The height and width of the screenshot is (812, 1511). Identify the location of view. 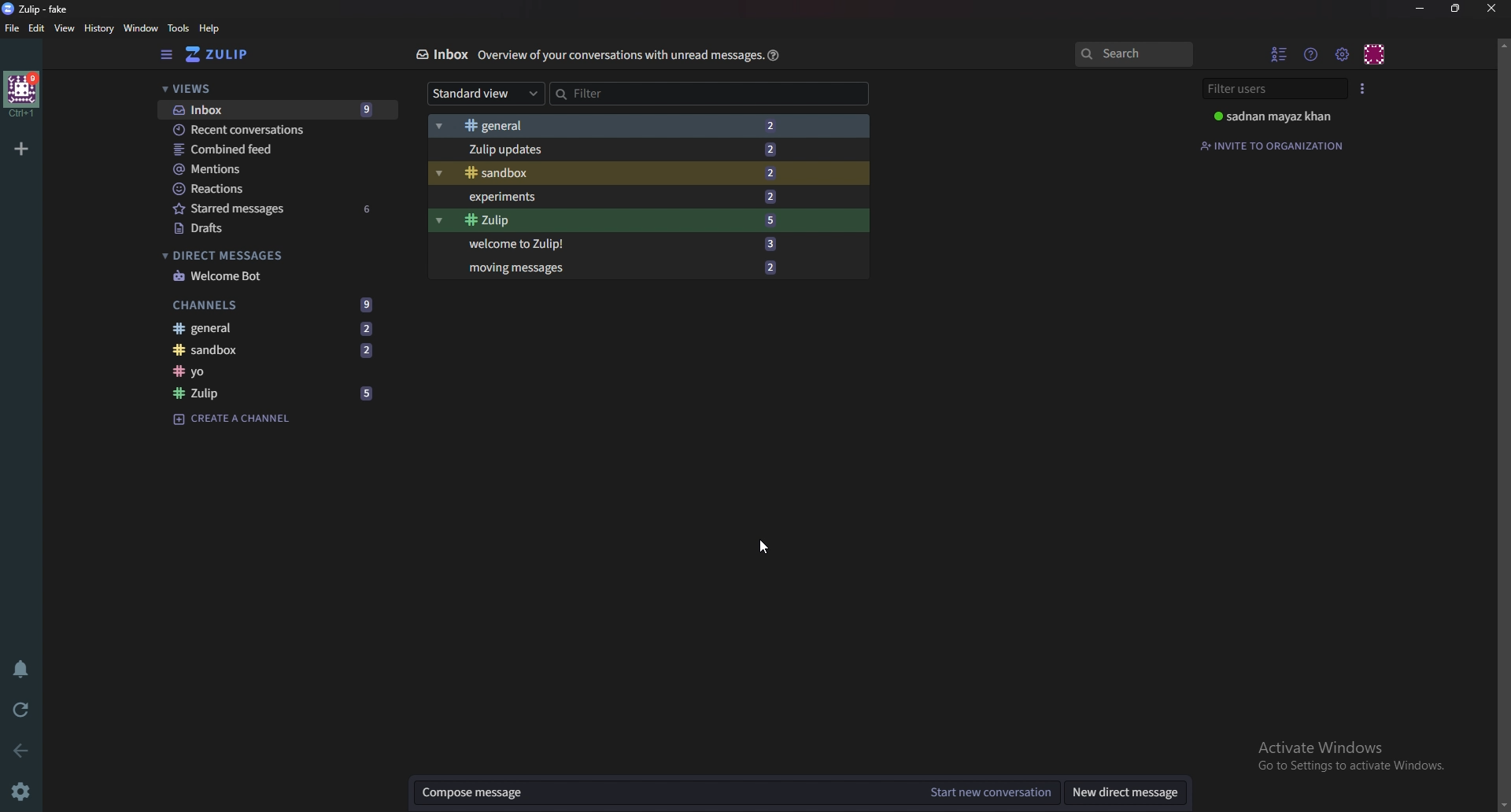
(65, 28).